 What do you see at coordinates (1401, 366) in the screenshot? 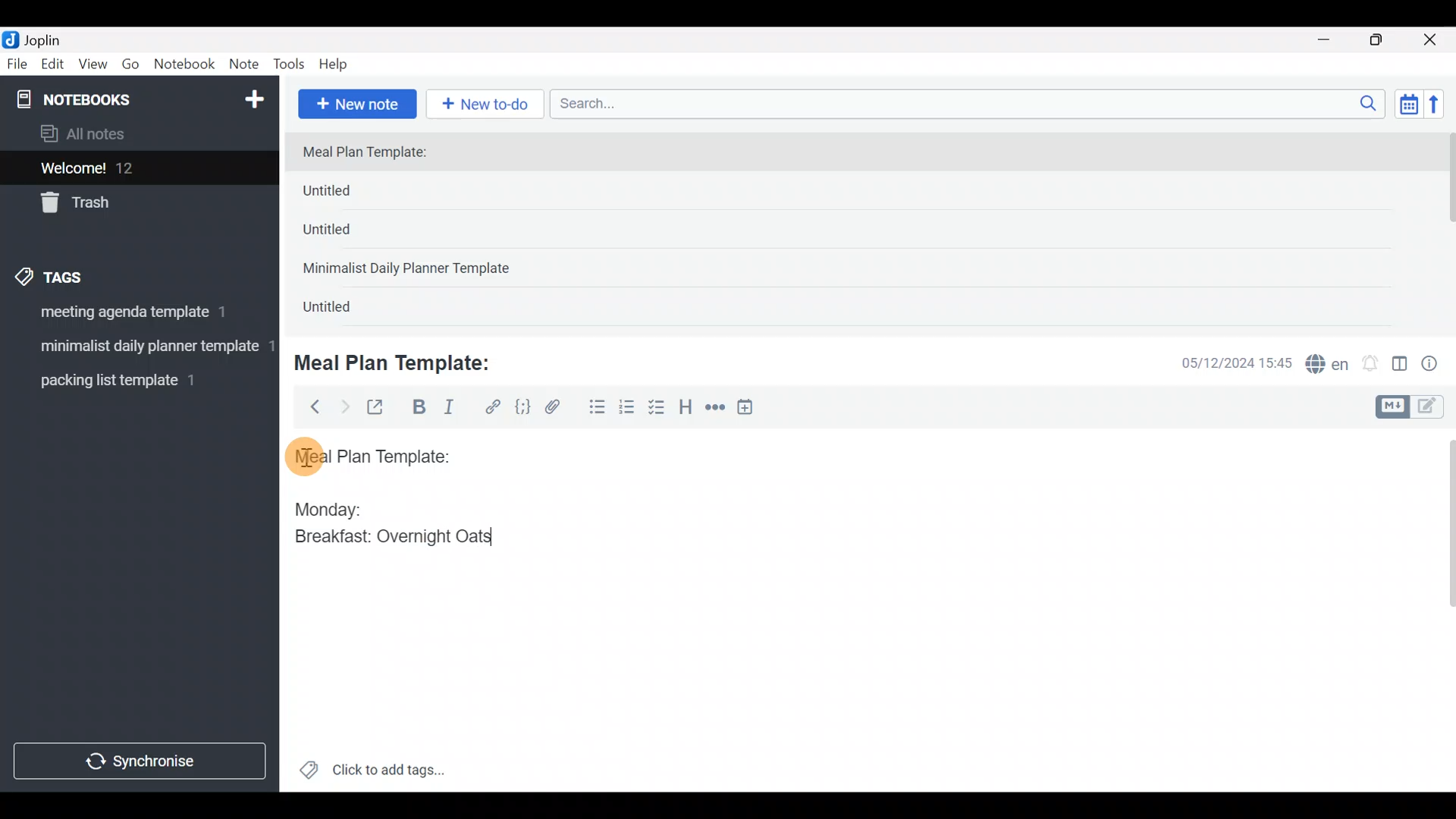
I see `Toggle editor layout` at bounding box center [1401, 366].